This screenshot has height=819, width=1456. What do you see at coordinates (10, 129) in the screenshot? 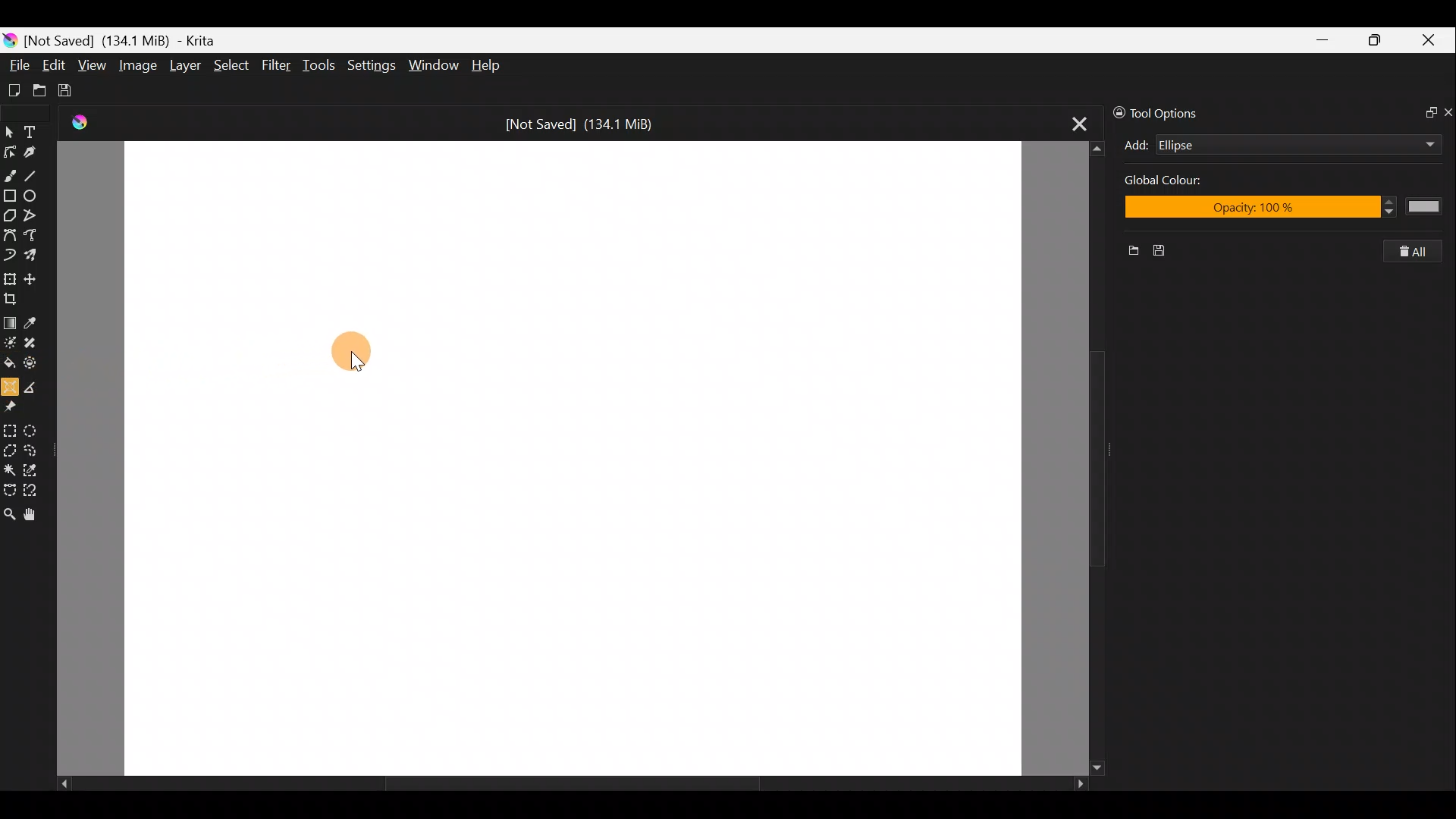
I see `Select shapes tool` at bounding box center [10, 129].